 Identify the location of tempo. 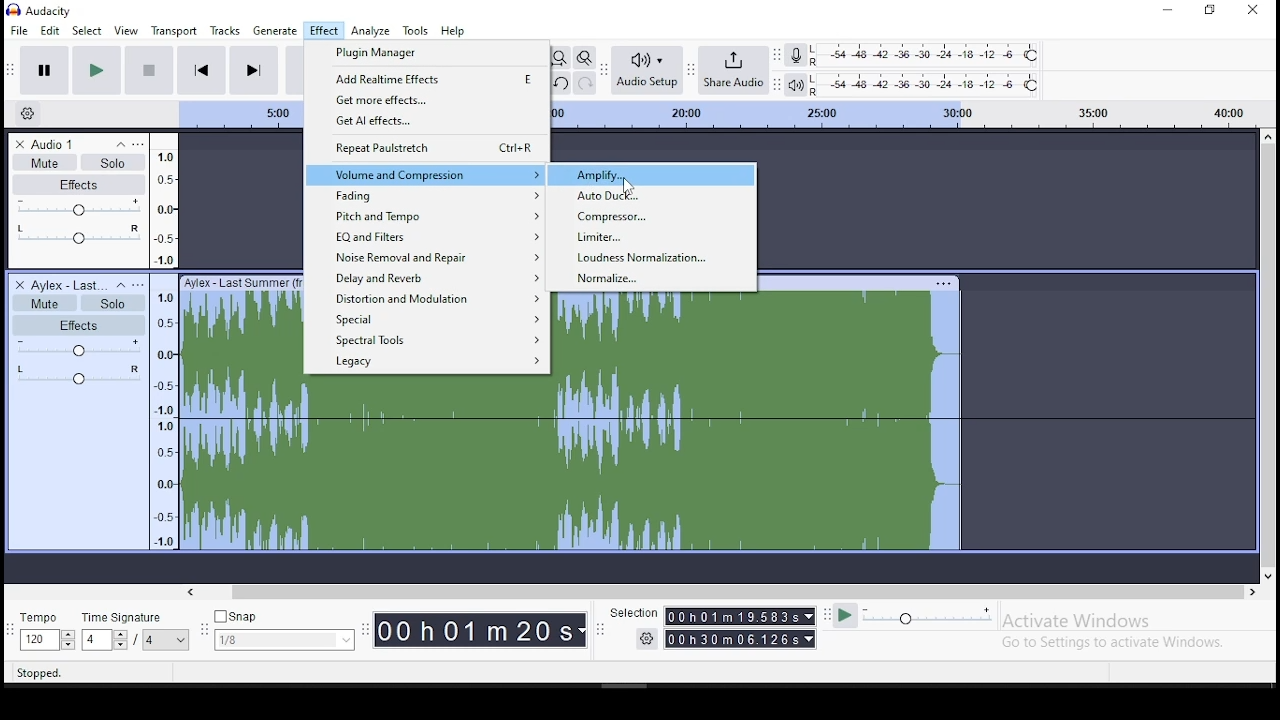
(47, 633).